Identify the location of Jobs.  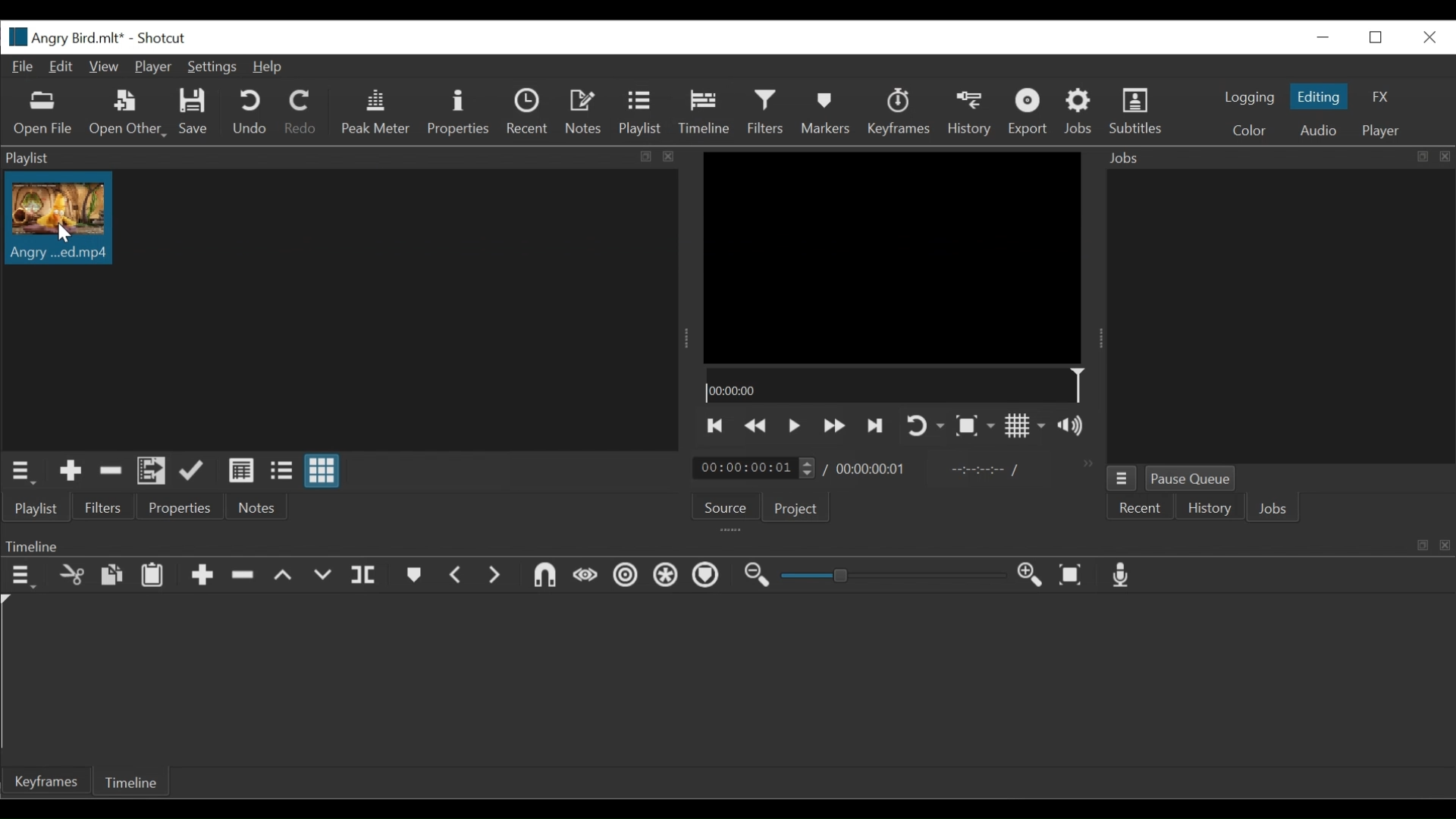
(1276, 508).